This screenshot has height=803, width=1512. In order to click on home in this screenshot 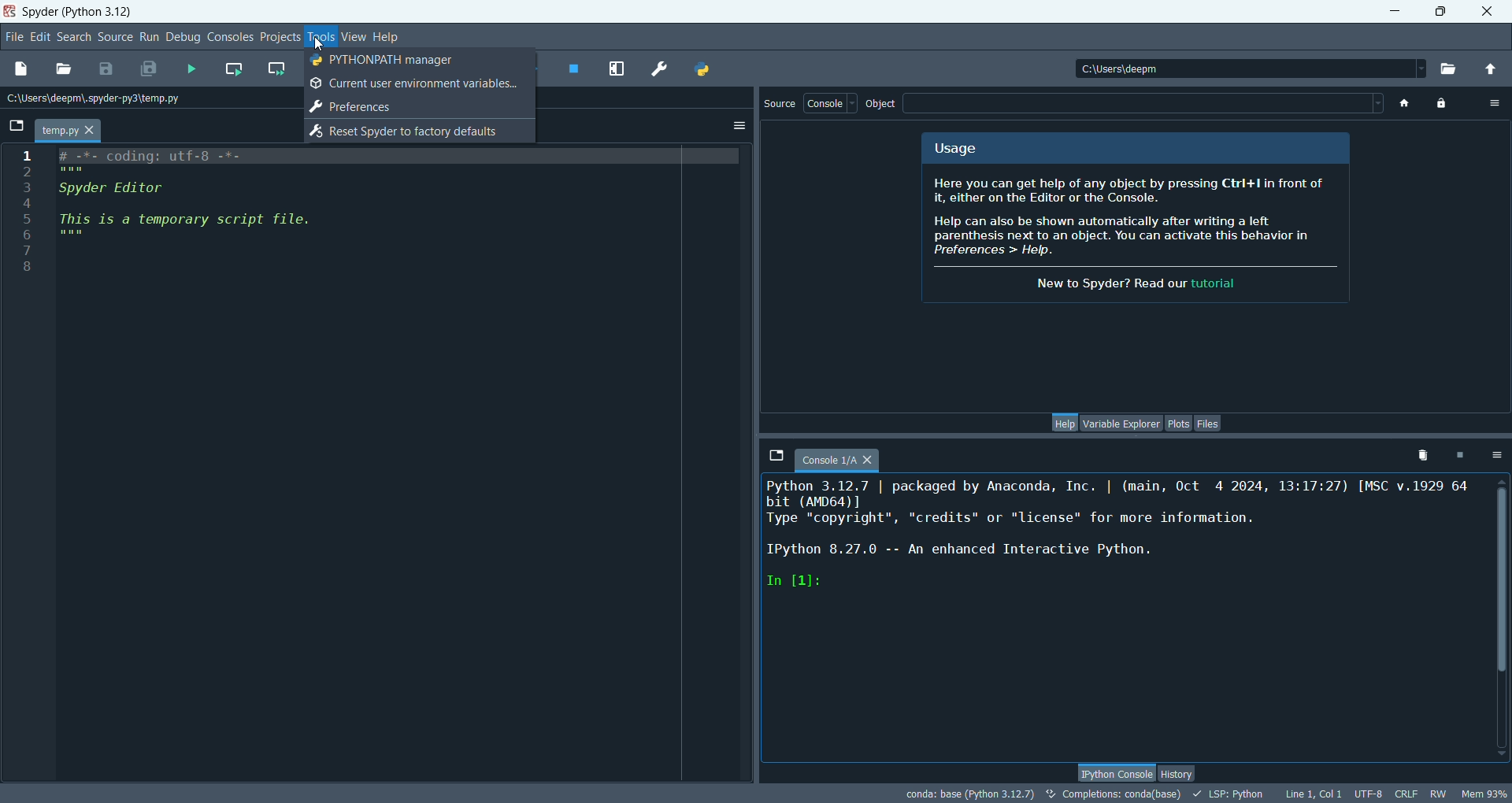, I will do `click(1402, 102)`.